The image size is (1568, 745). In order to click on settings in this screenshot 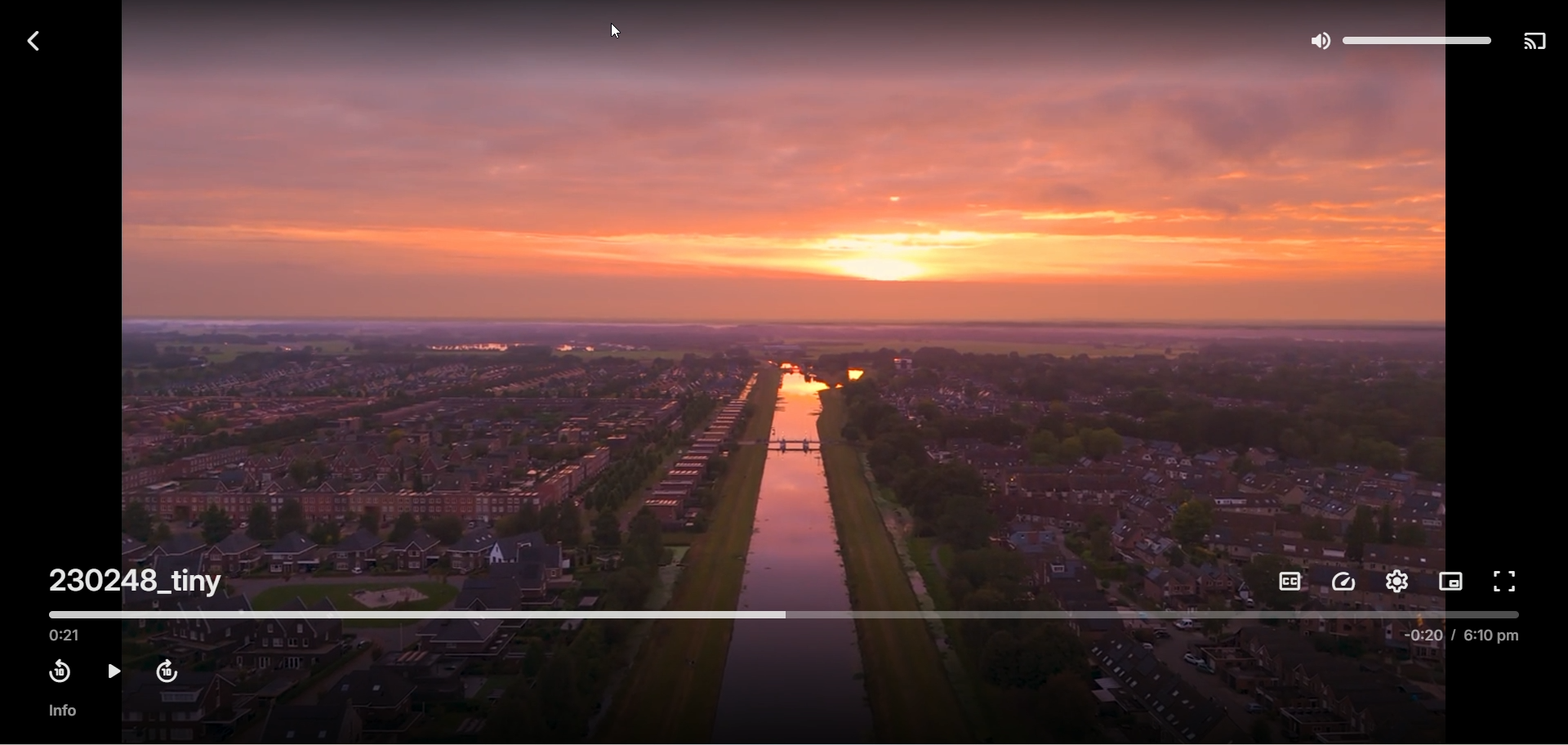, I will do `click(1394, 581)`.